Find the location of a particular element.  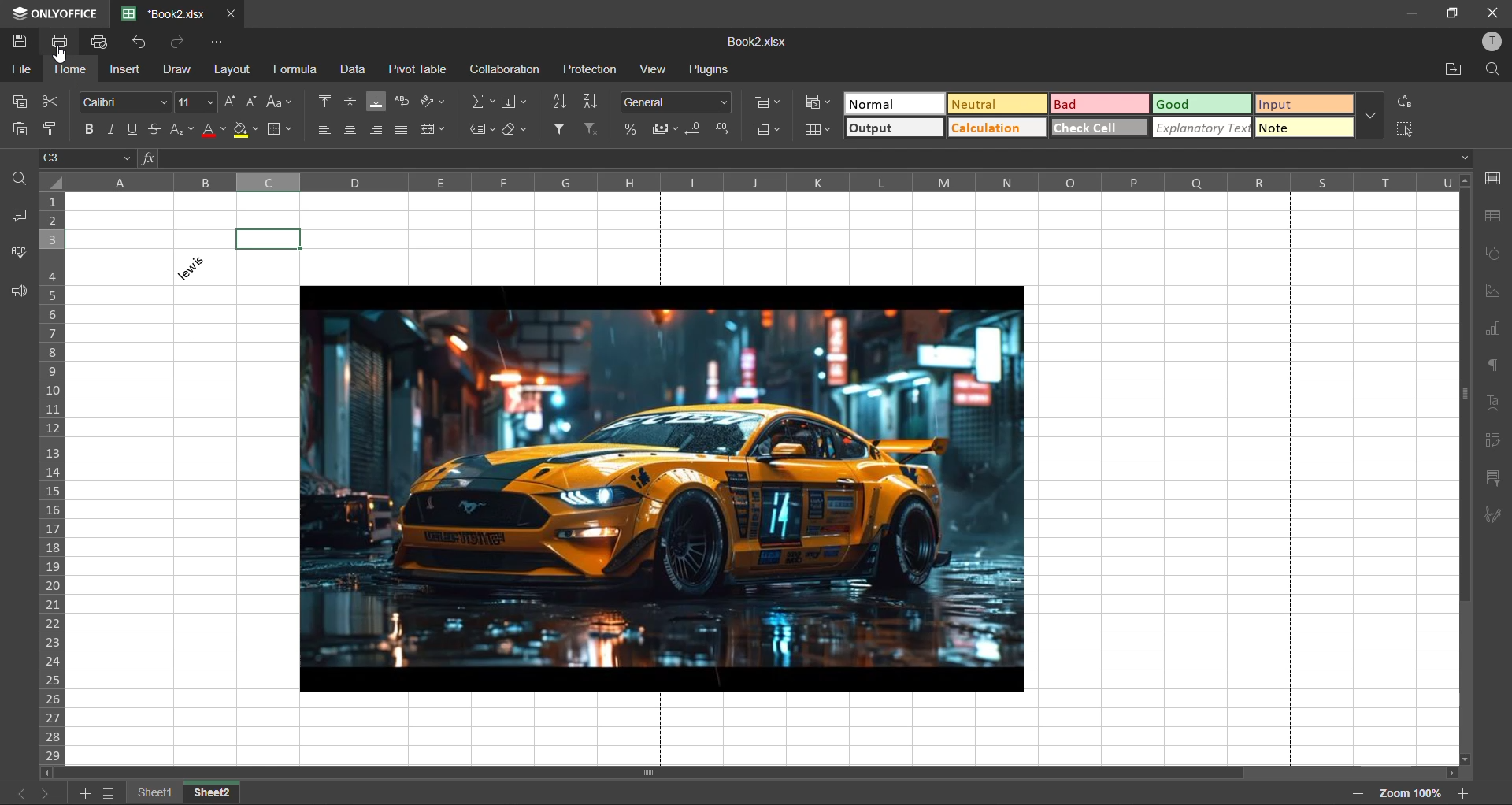

next is located at coordinates (46, 792).